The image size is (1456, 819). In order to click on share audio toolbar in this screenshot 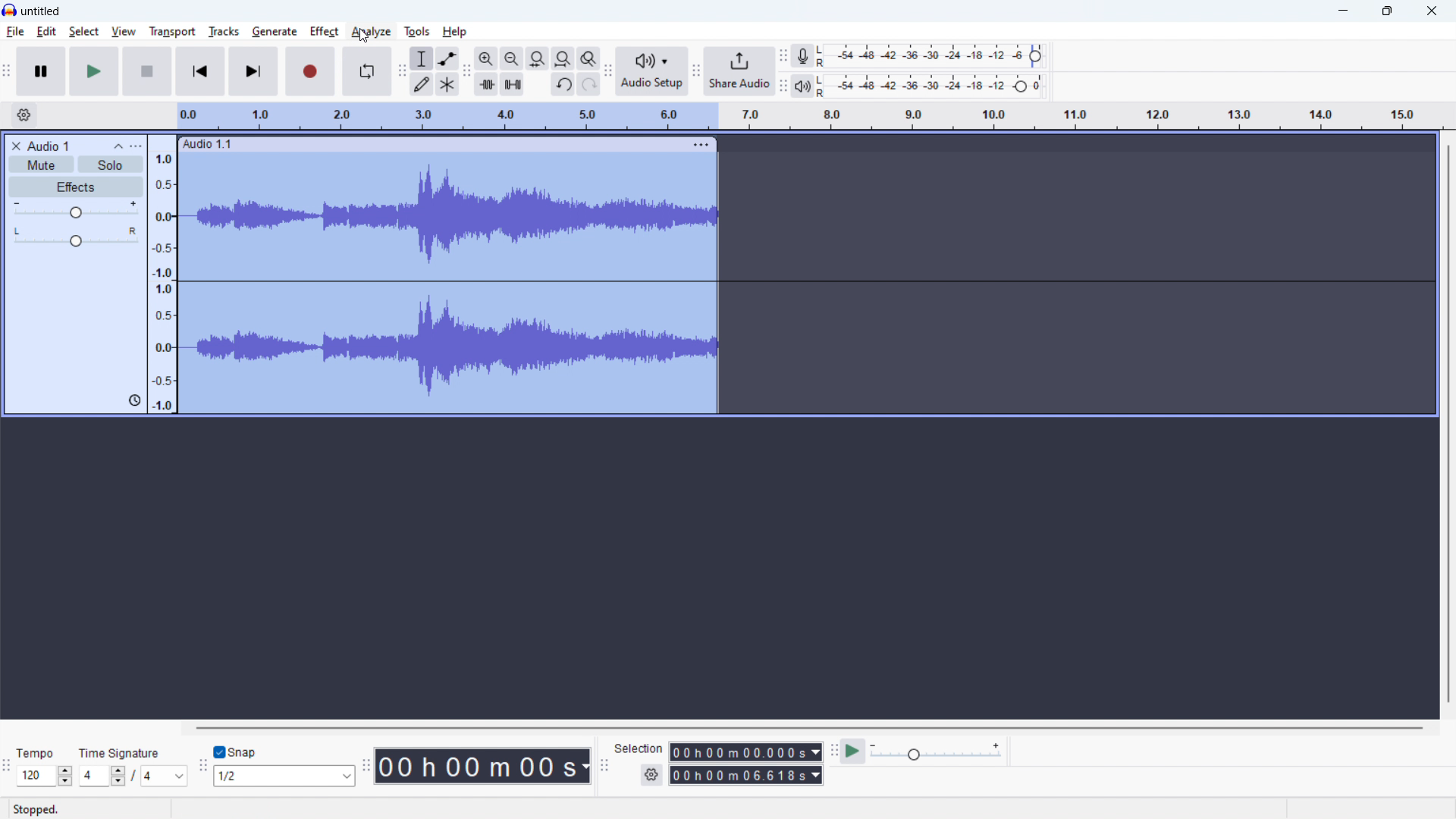, I will do `click(696, 73)`.